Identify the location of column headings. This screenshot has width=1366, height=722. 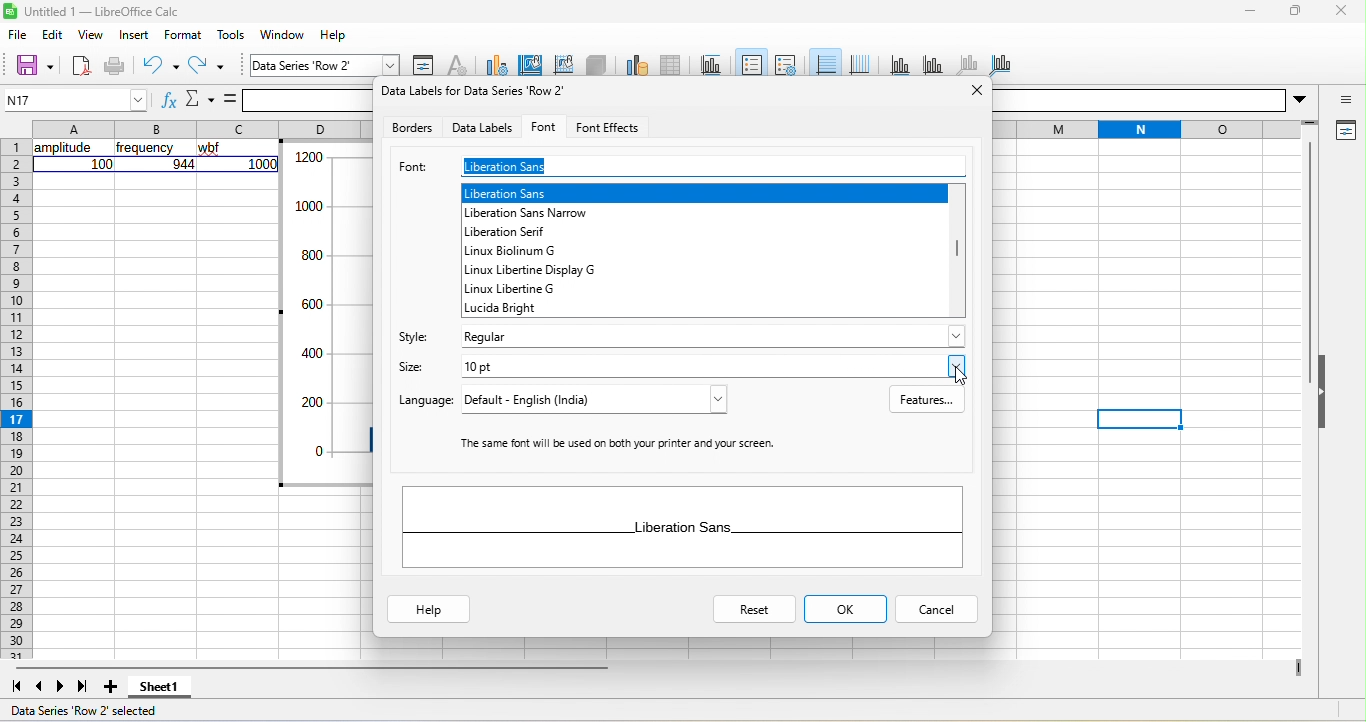
(199, 127).